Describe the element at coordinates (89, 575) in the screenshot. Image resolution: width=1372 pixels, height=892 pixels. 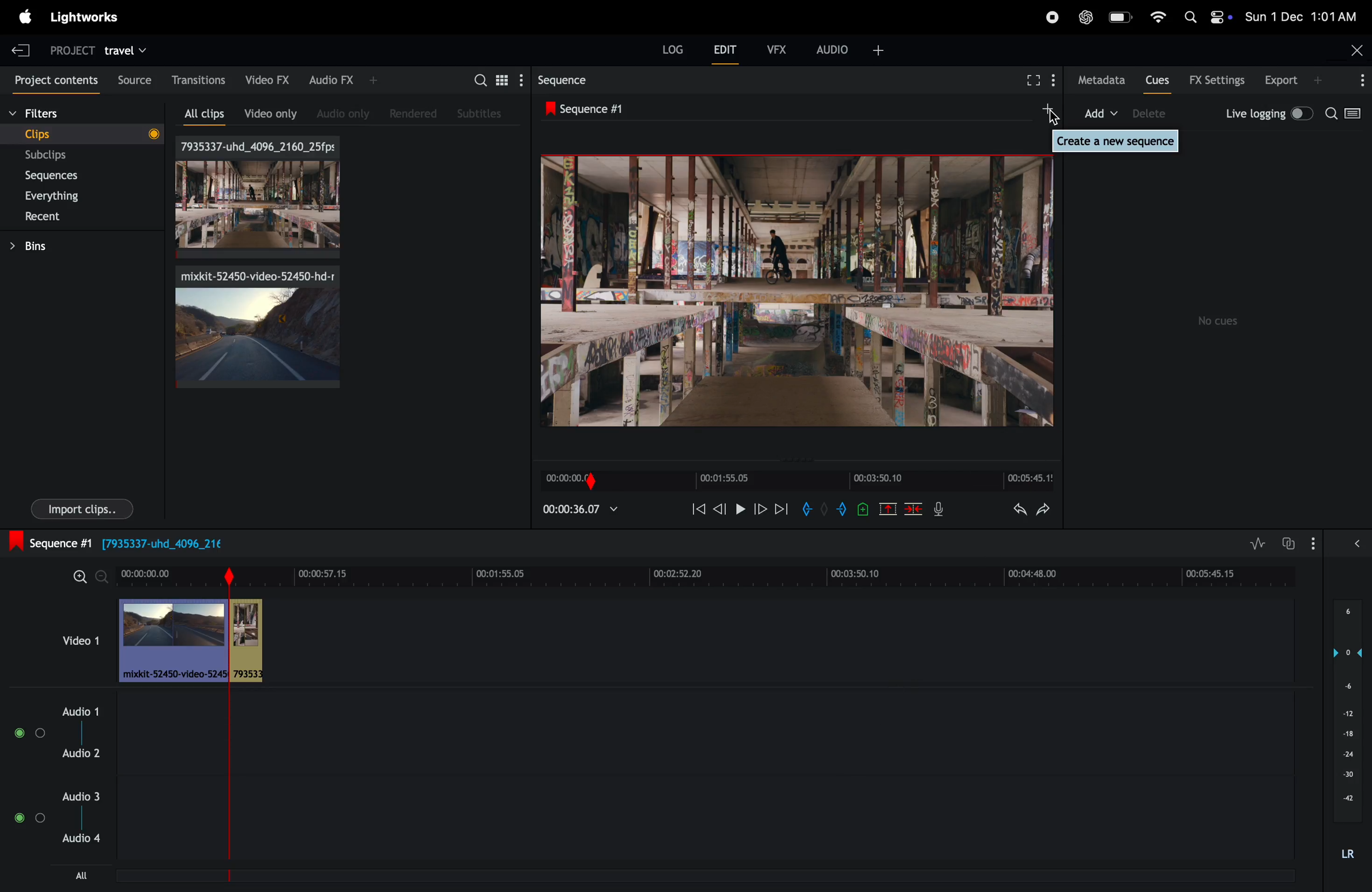
I see `zoom in zoom out` at that location.